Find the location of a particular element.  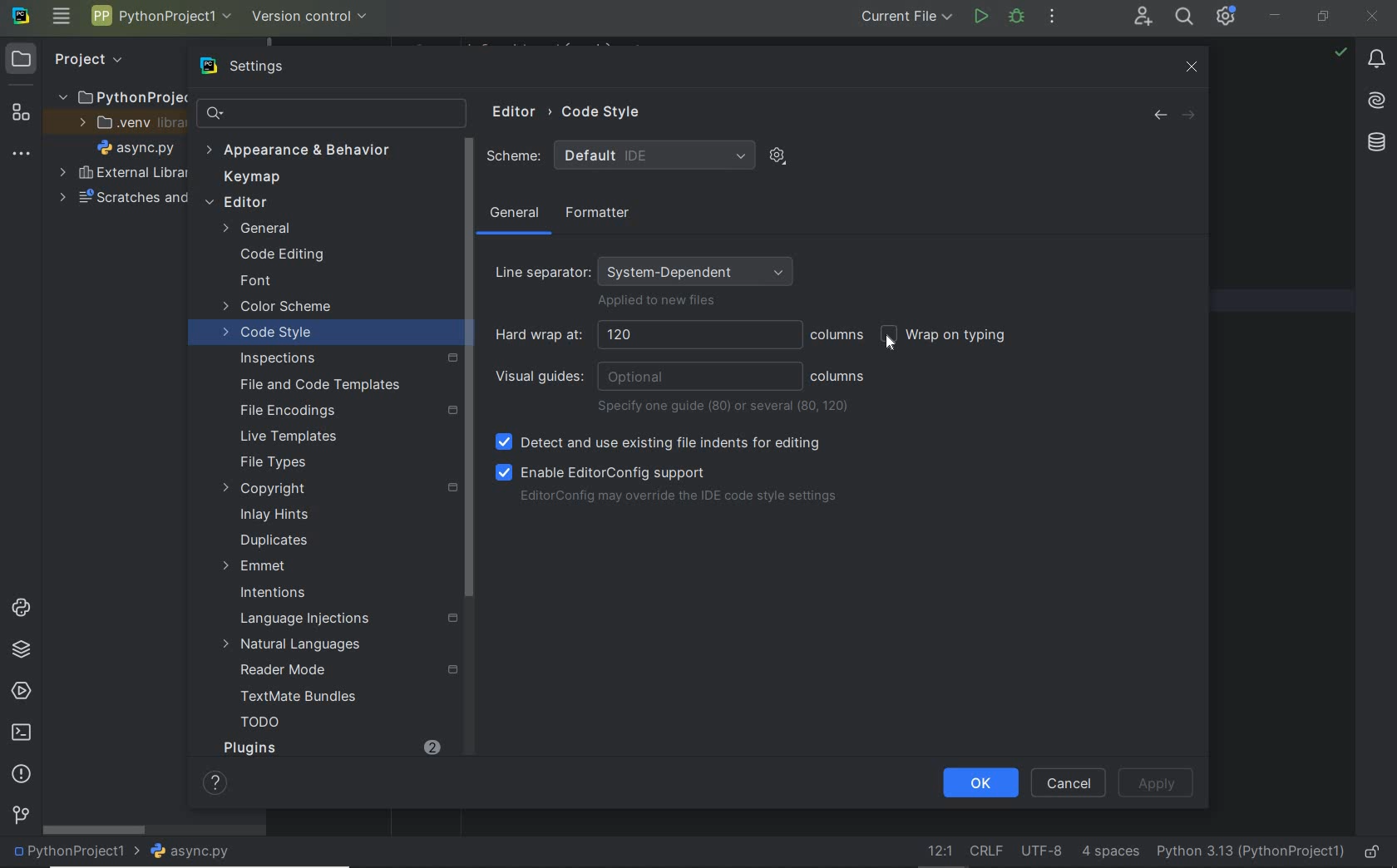

python packages is located at coordinates (21, 651).